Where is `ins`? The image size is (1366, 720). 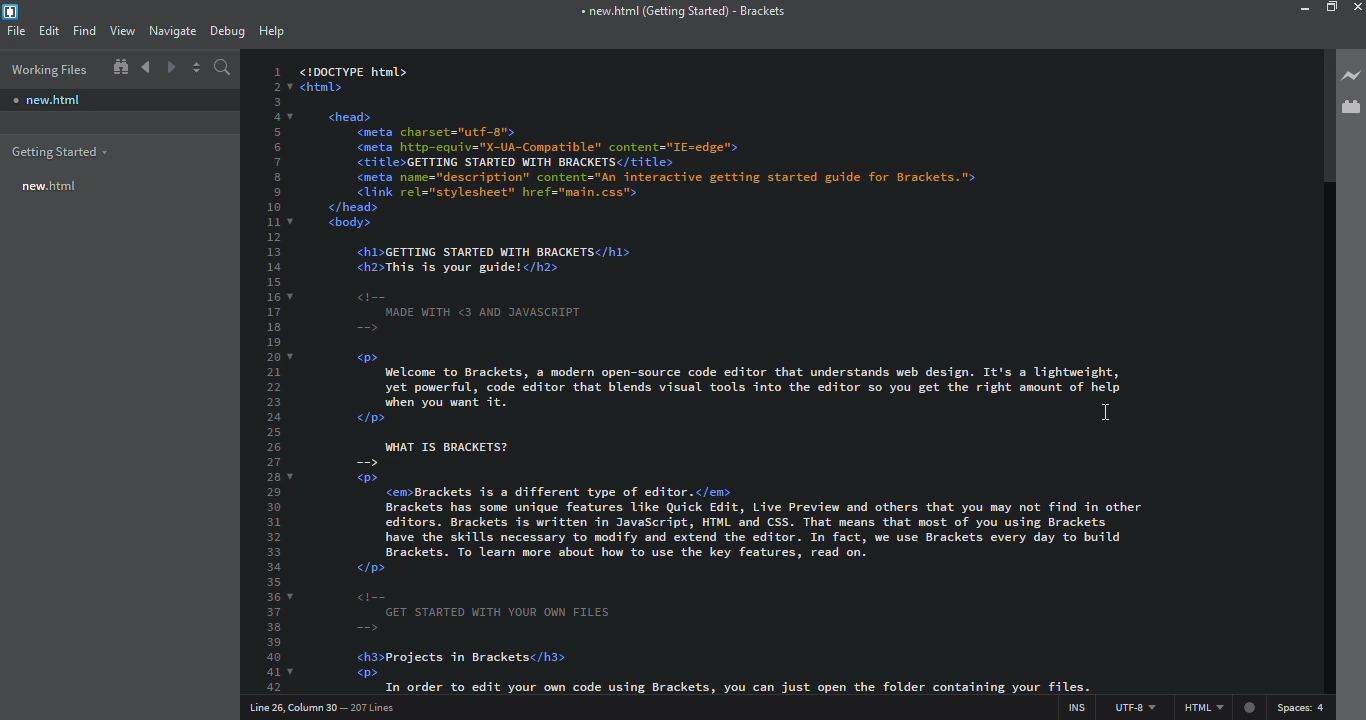
ins is located at coordinates (1072, 705).